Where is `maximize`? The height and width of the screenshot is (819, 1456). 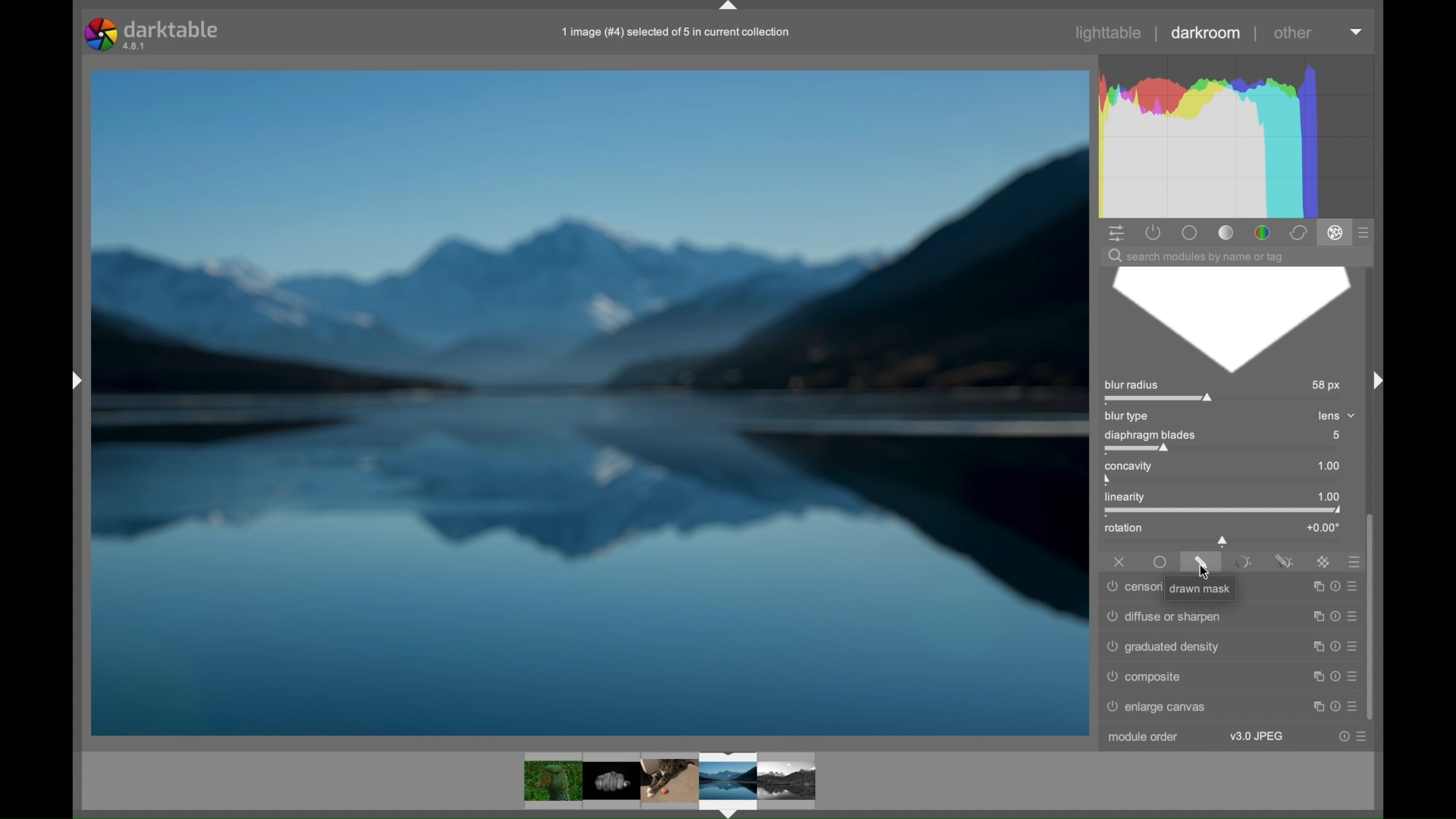 maximize is located at coordinates (1313, 674).